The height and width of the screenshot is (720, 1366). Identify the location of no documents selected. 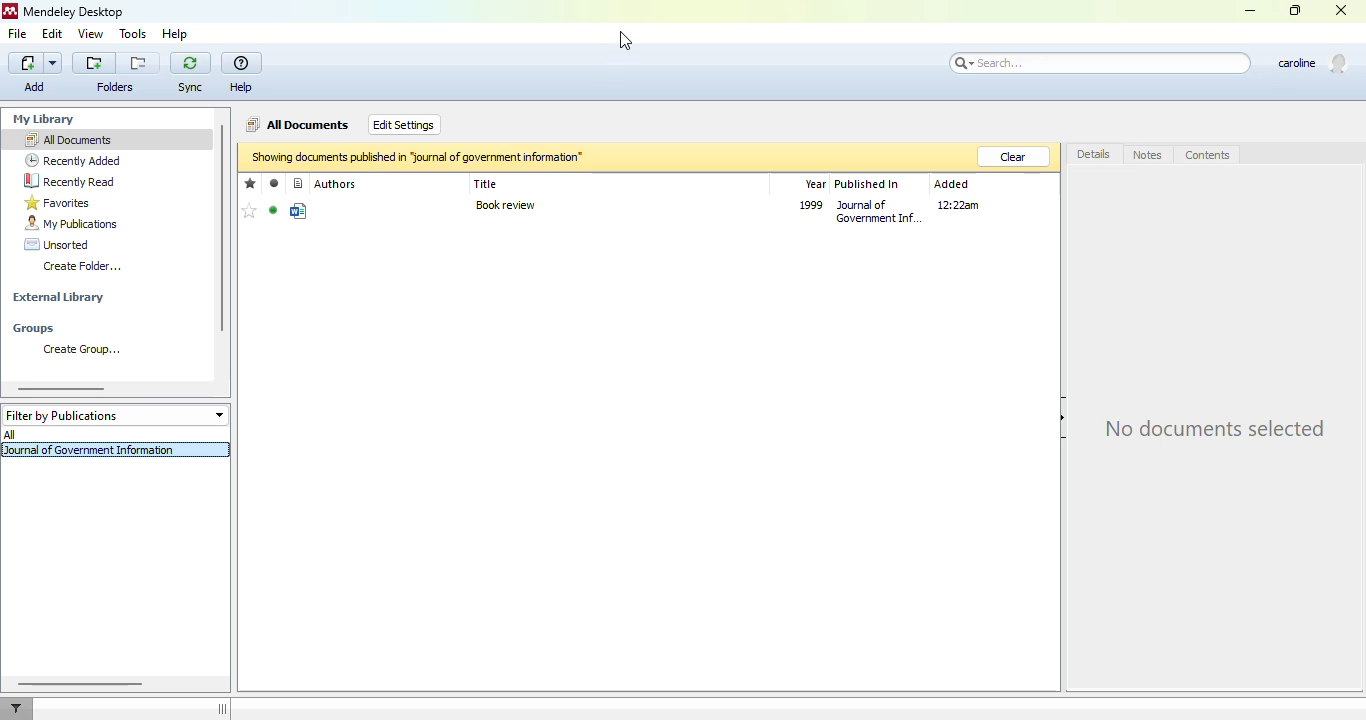
(1215, 426).